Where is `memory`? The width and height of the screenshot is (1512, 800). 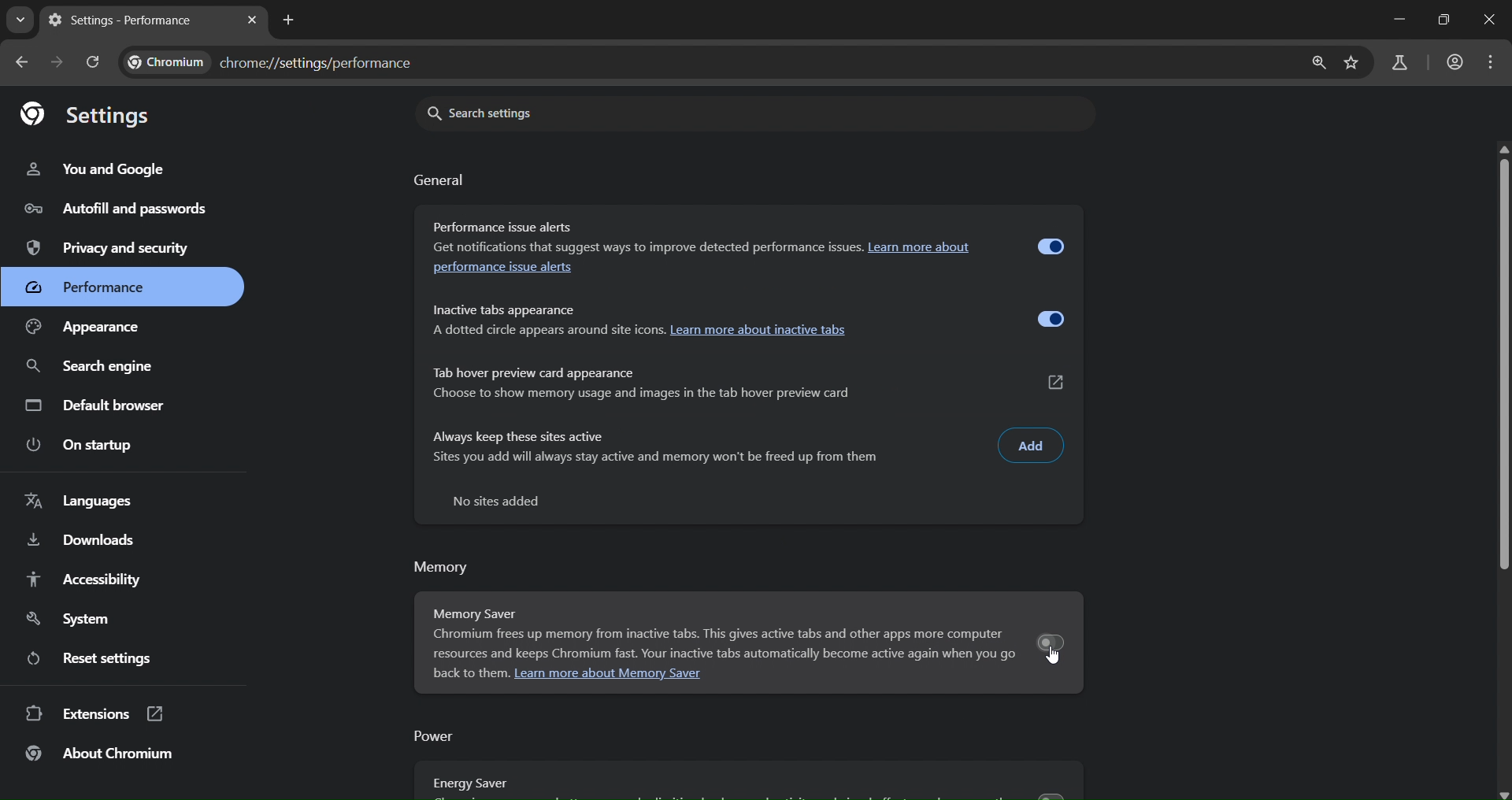 memory is located at coordinates (447, 565).